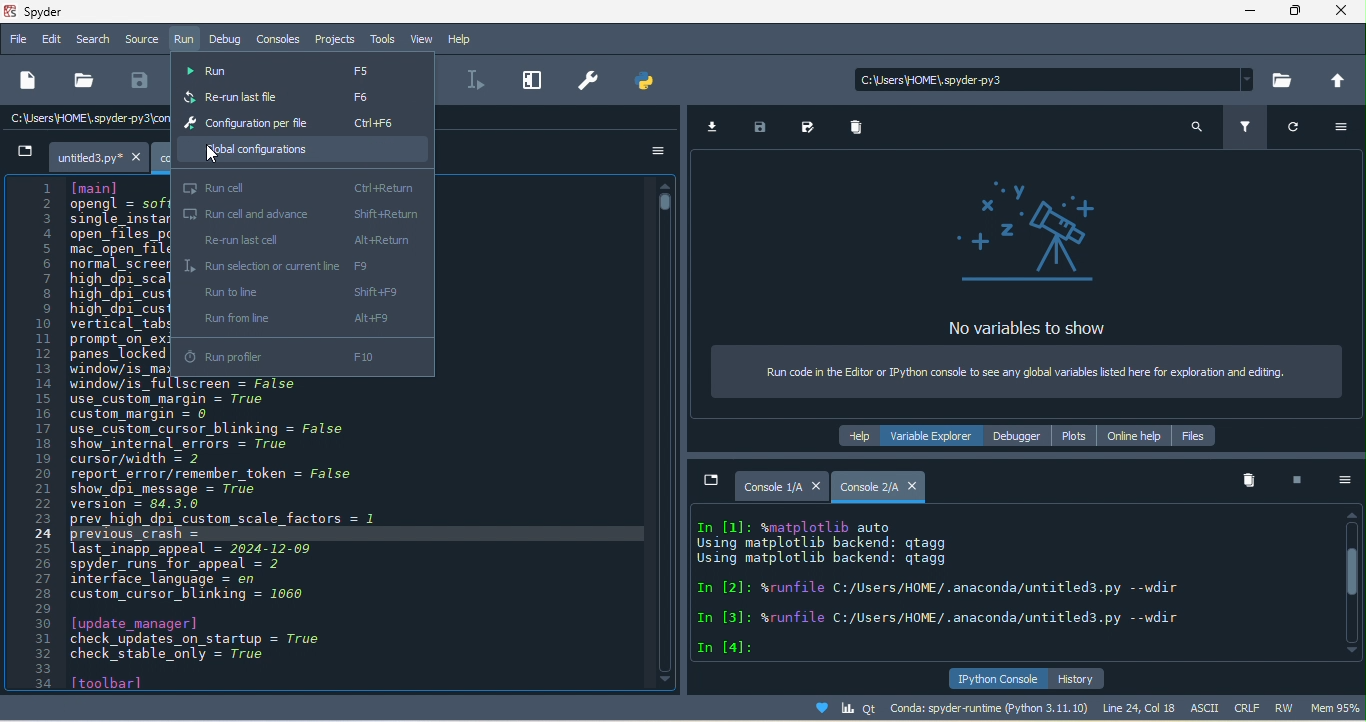 The image size is (1366, 722). Describe the element at coordinates (954, 586) in the screenshot. I see `text` at that location.